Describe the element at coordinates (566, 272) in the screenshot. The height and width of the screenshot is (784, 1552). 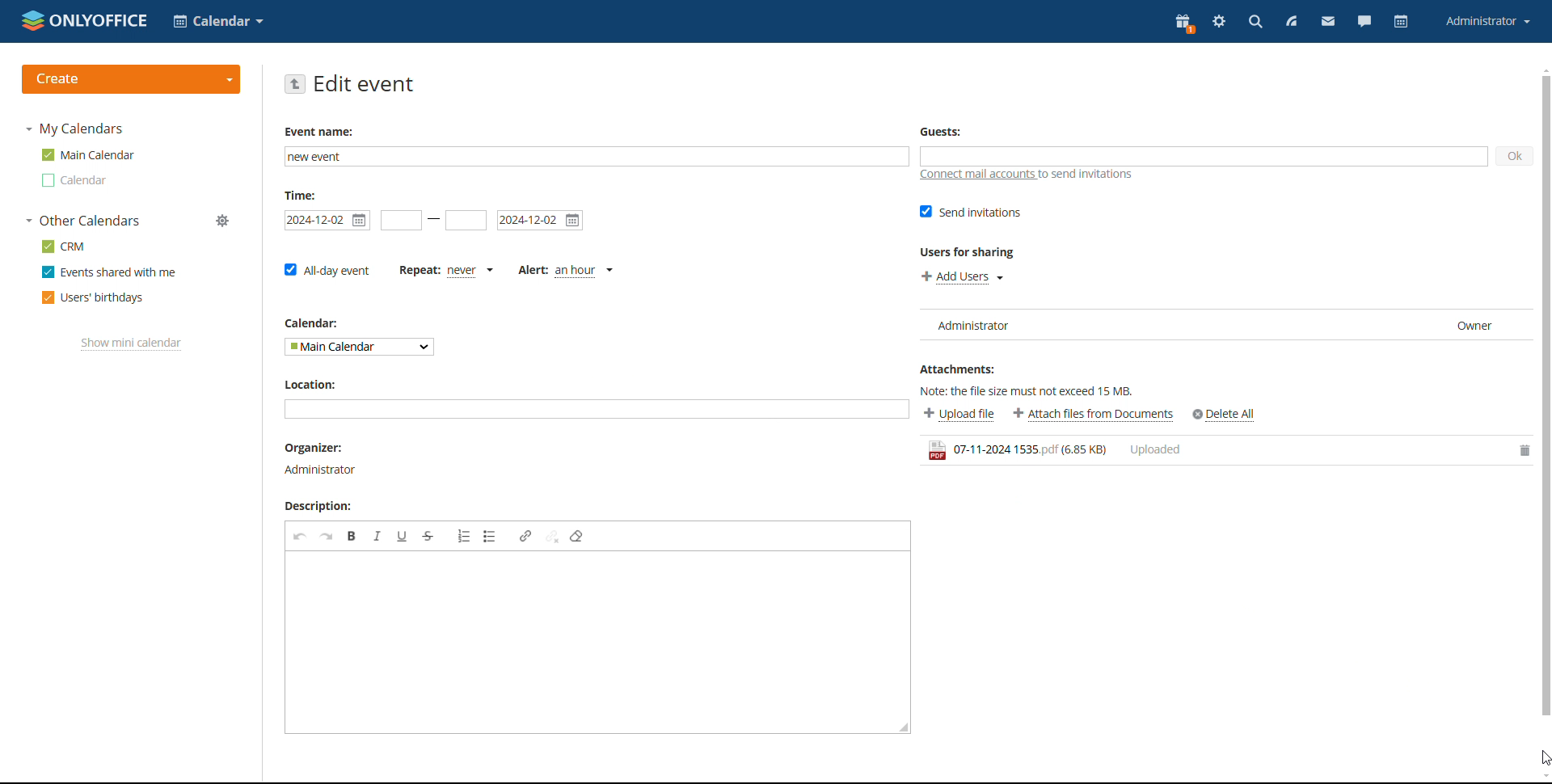
I see `alert type` at that location.